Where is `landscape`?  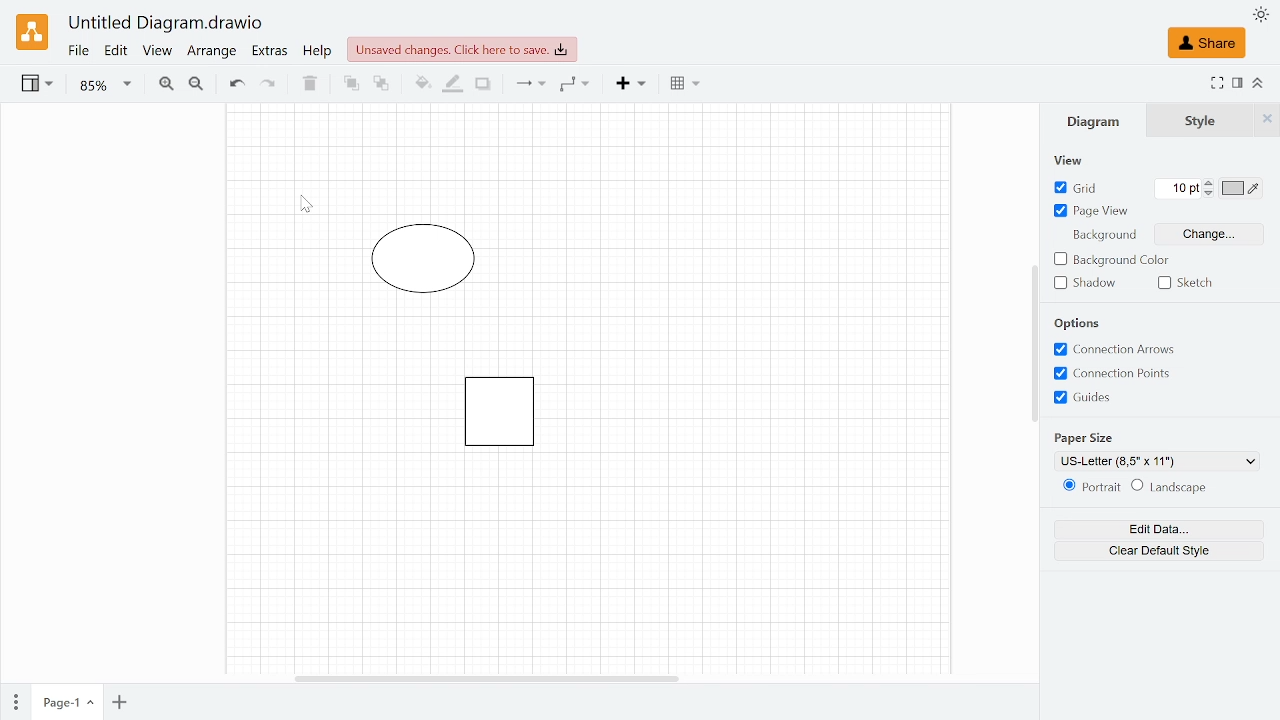
landscape is located at coordinates (1170, 487).